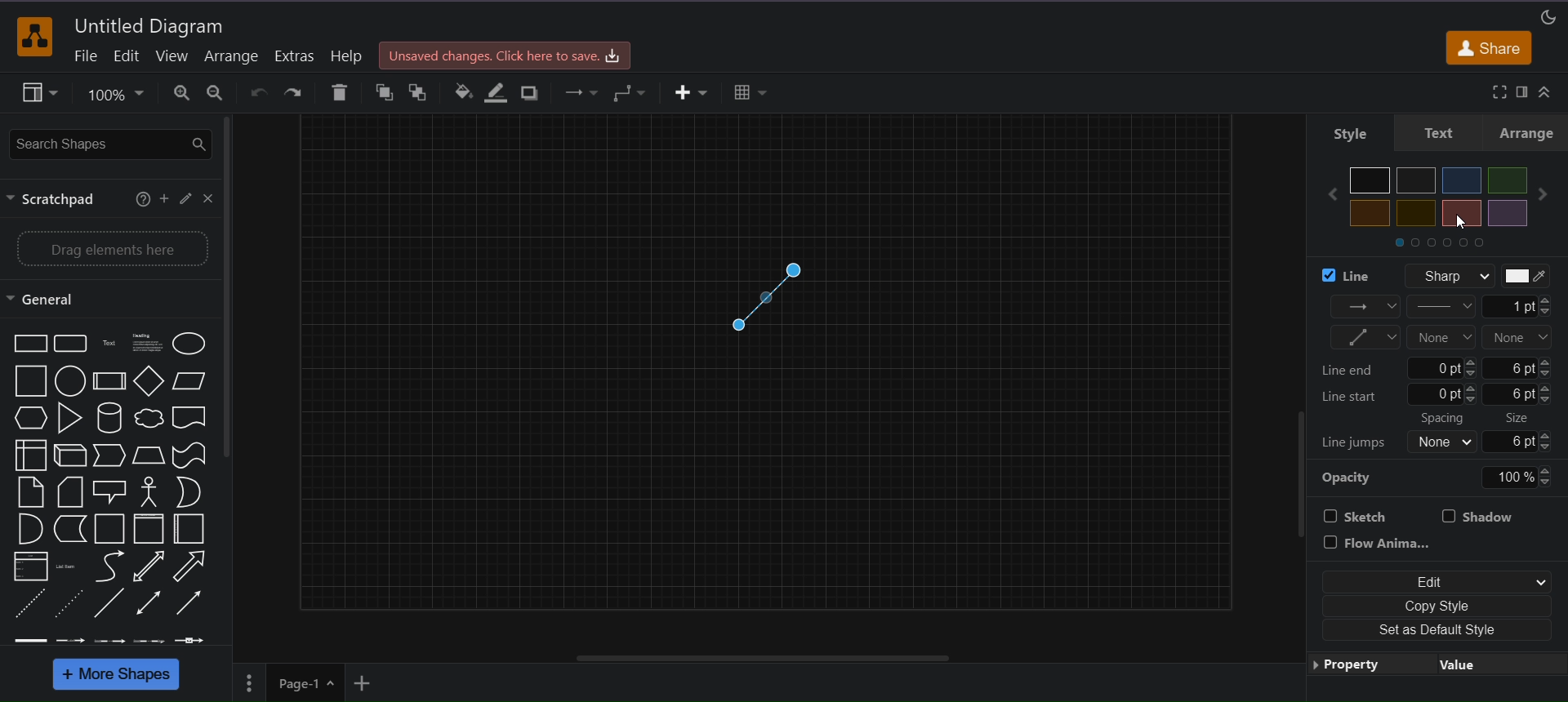 The width and height of the screenshot is (1568, 702). What do you see at coordinates (1482, 515) in the screenshot?
I see `shadow` at bounding box center [1482, 515].